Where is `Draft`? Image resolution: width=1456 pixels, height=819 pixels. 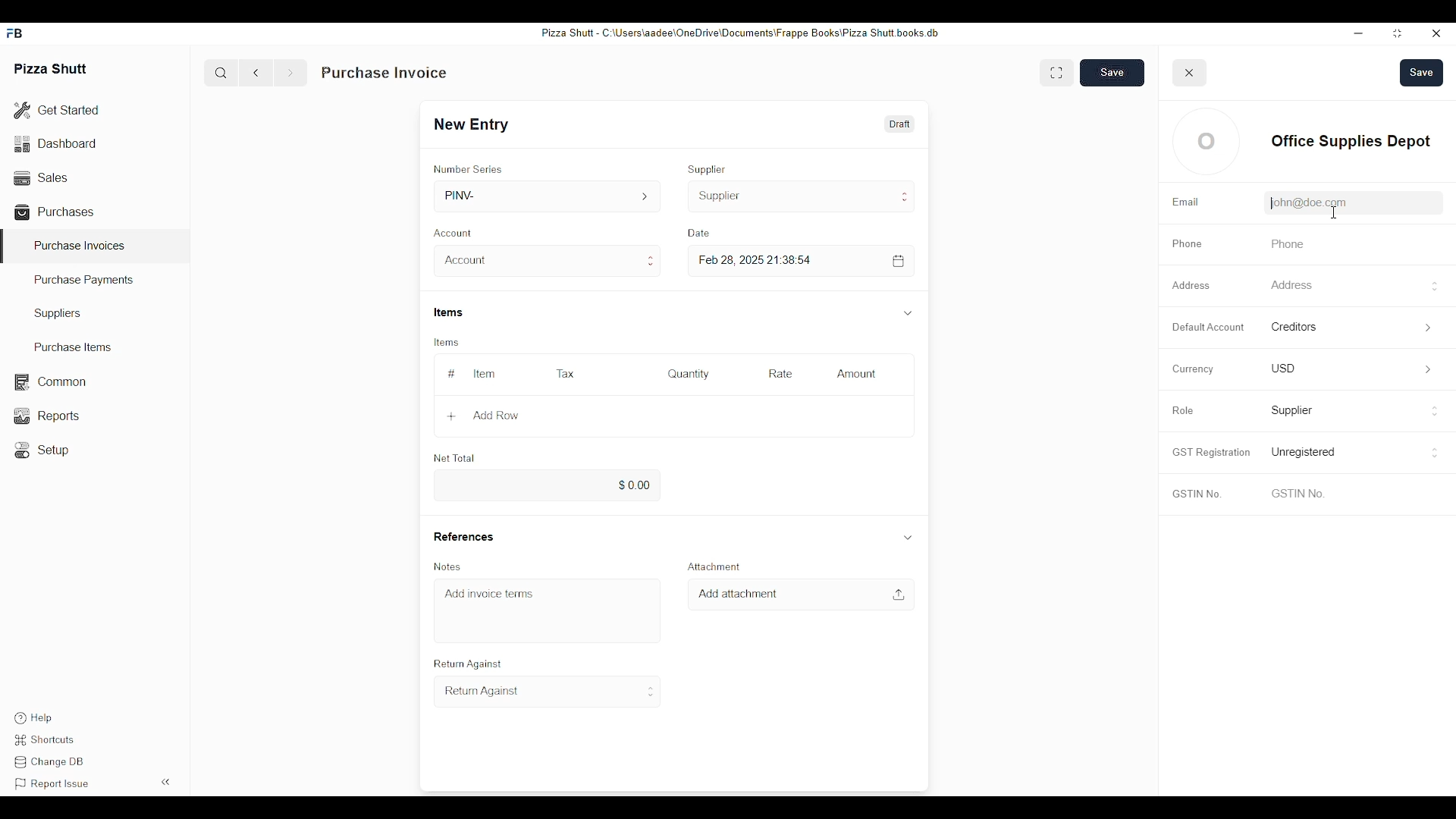 Draft is located at coordinates (898, 124).